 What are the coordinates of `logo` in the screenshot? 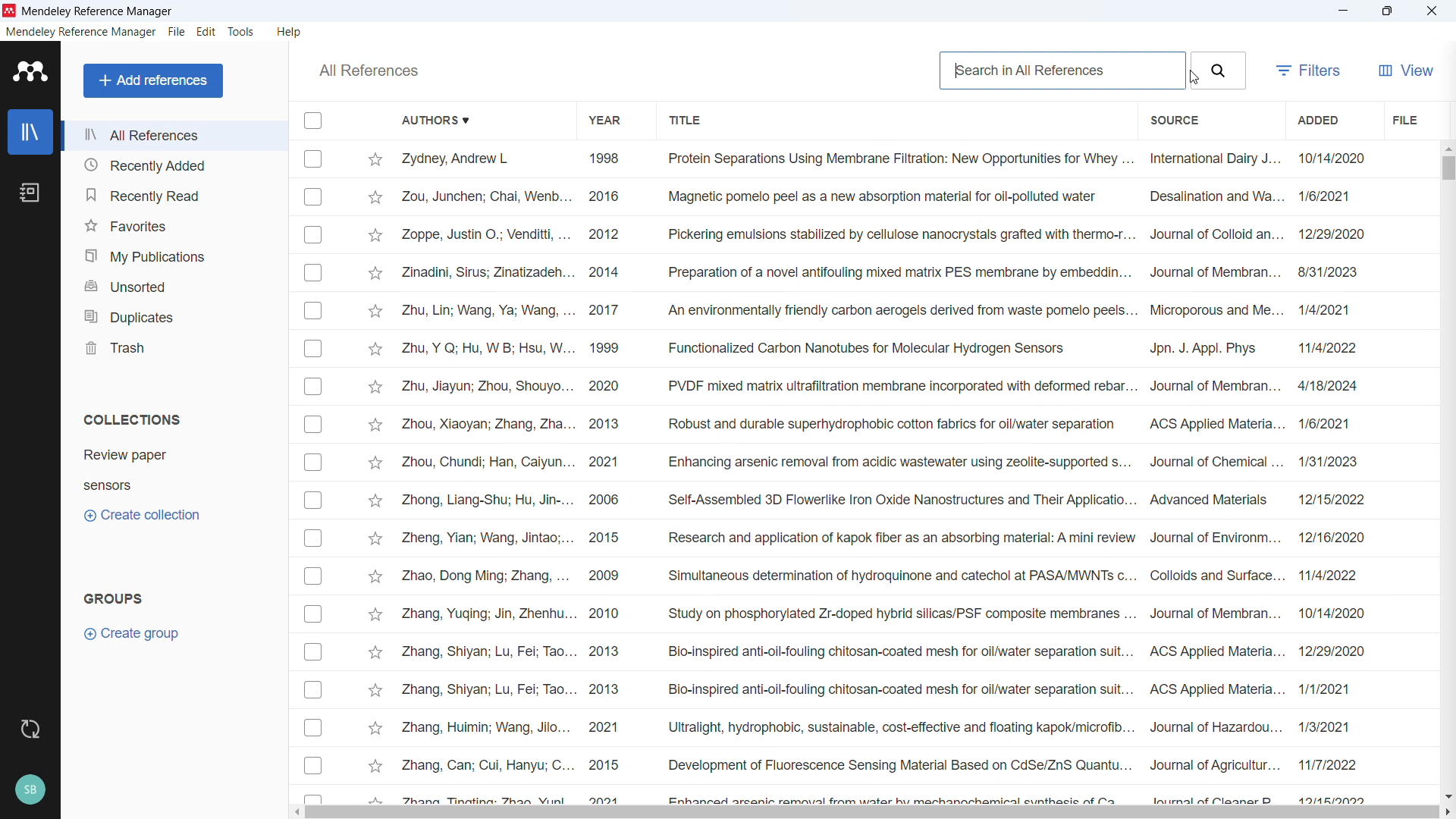 It's located at (9, 11).